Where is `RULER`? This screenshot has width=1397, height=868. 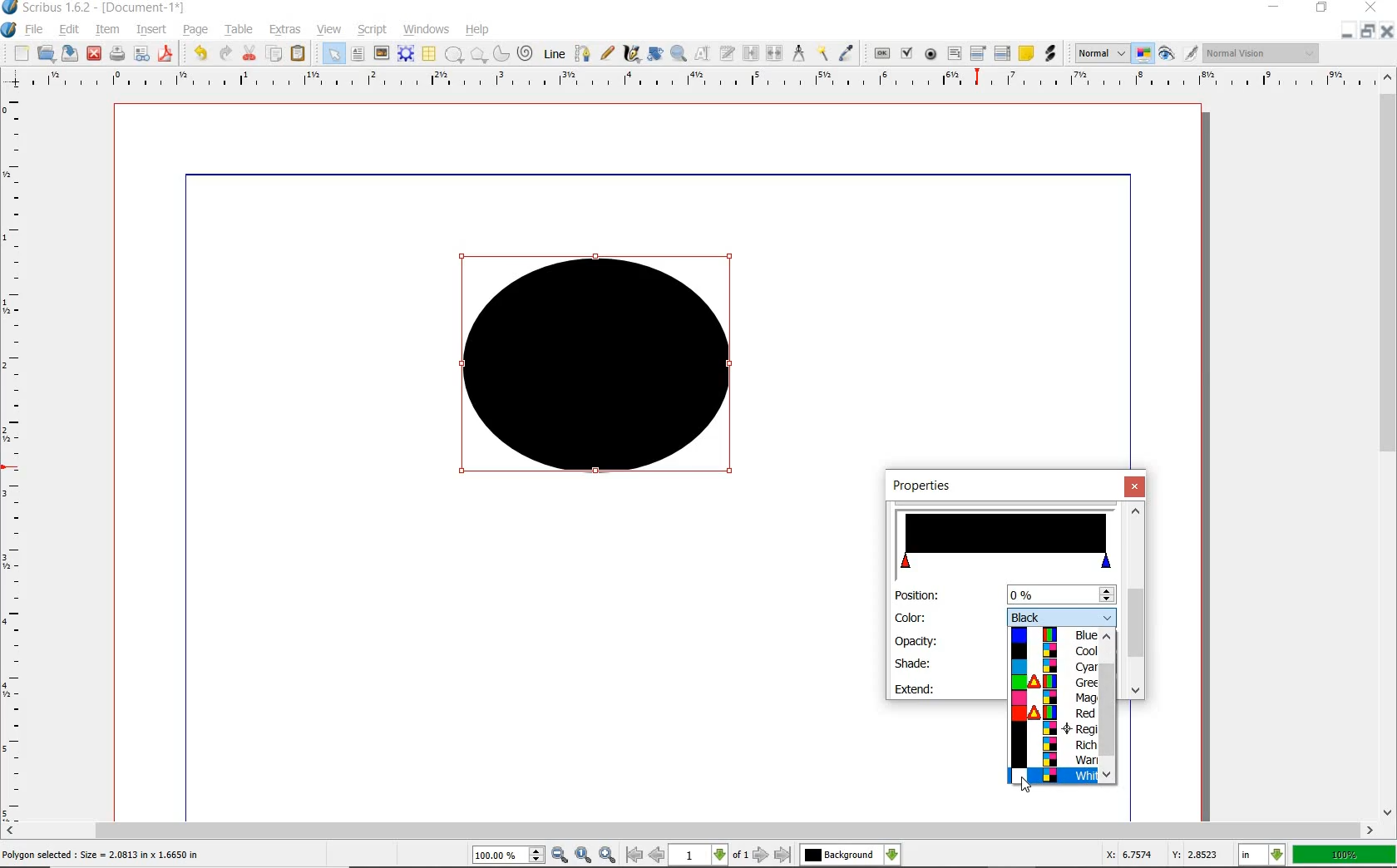 RULER is located at coordinates (14, 461).